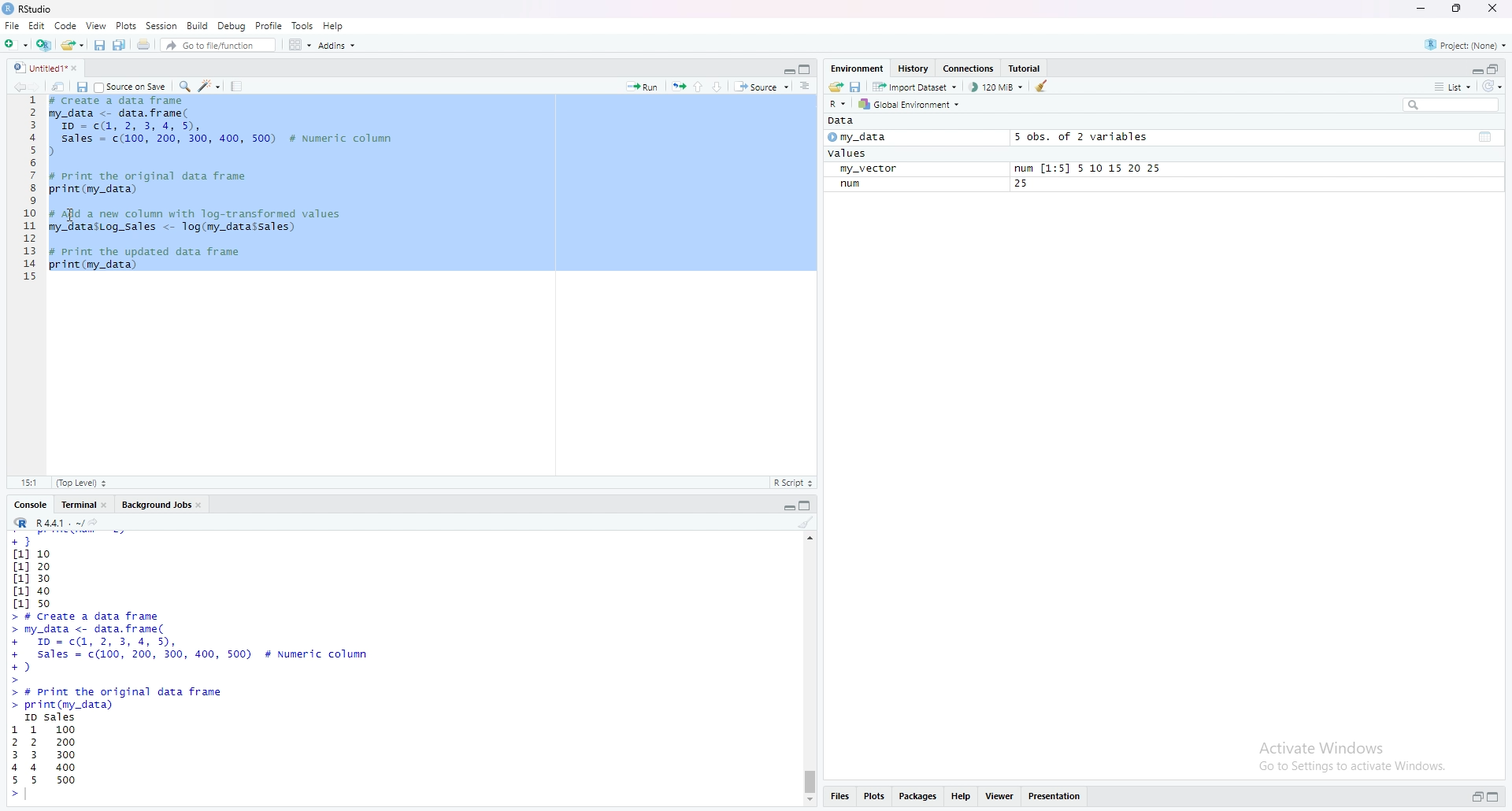 The image size is (1512, 811). What do you see at coordinates (855, 87) in the screenshot?
I see `save workspace as` at bounding box center [855, 87].